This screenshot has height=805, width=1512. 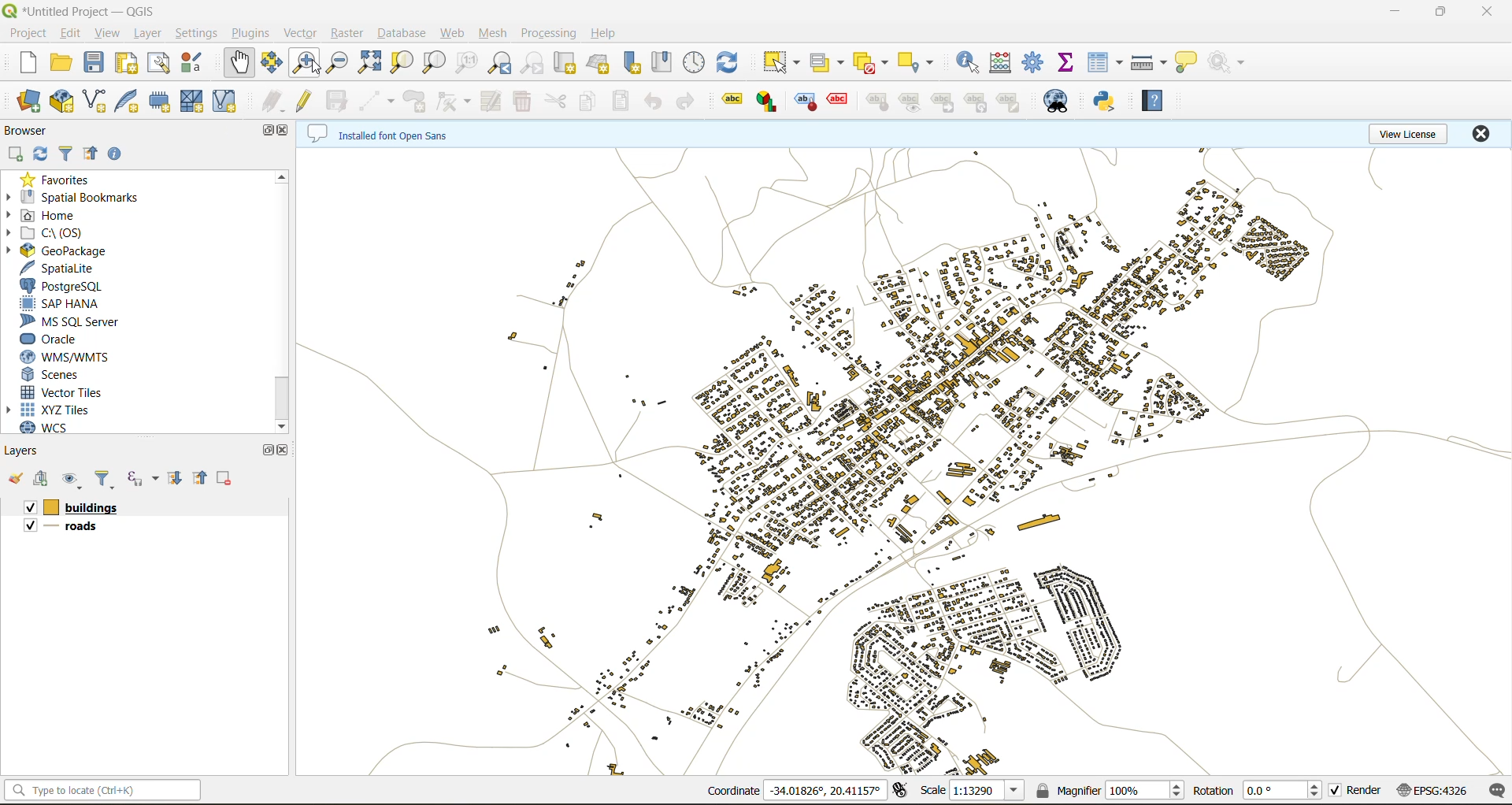 I want to click on scroll down, so click(x=280, y=425).